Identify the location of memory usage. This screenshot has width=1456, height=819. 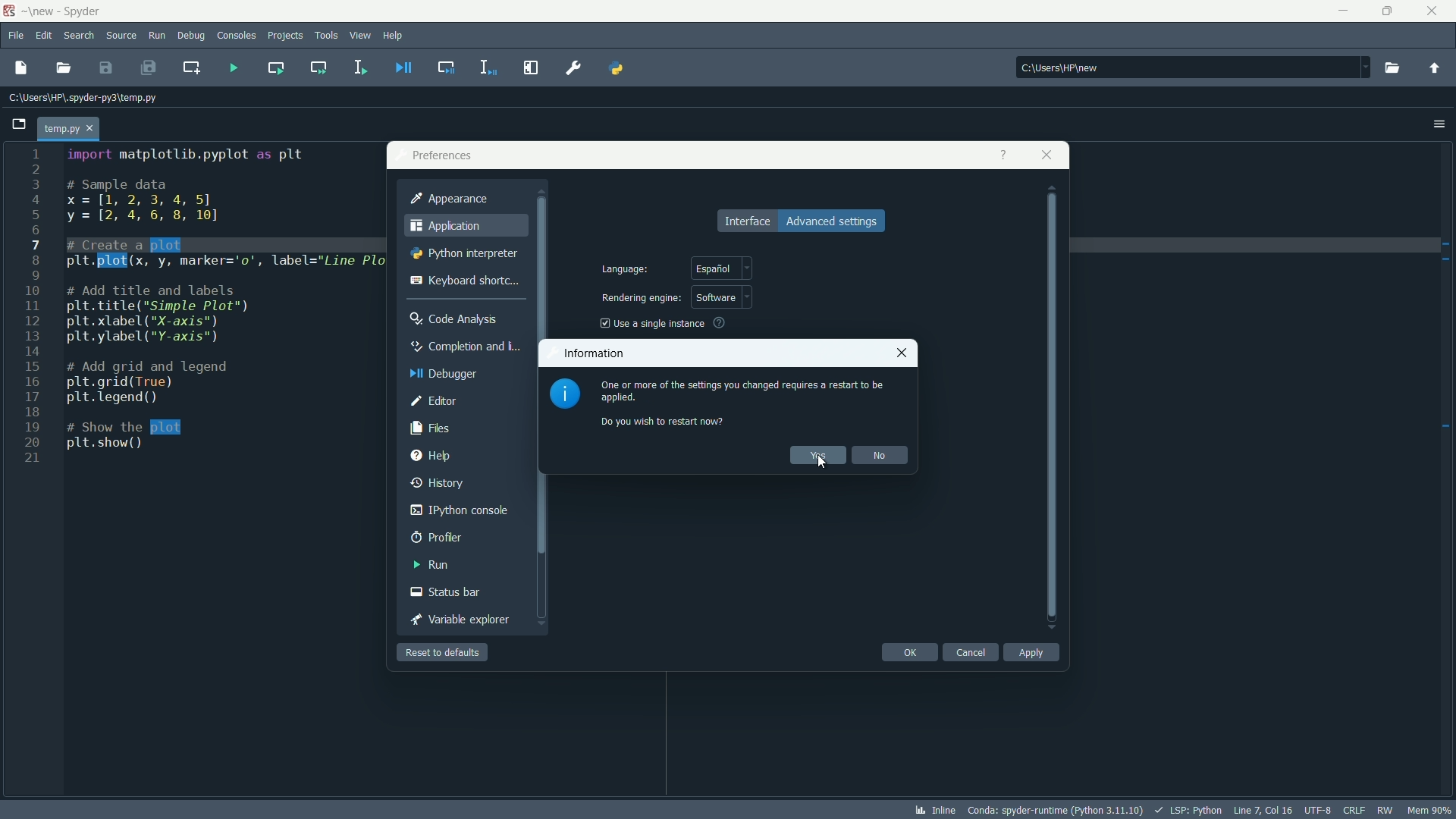
(1429, 809).